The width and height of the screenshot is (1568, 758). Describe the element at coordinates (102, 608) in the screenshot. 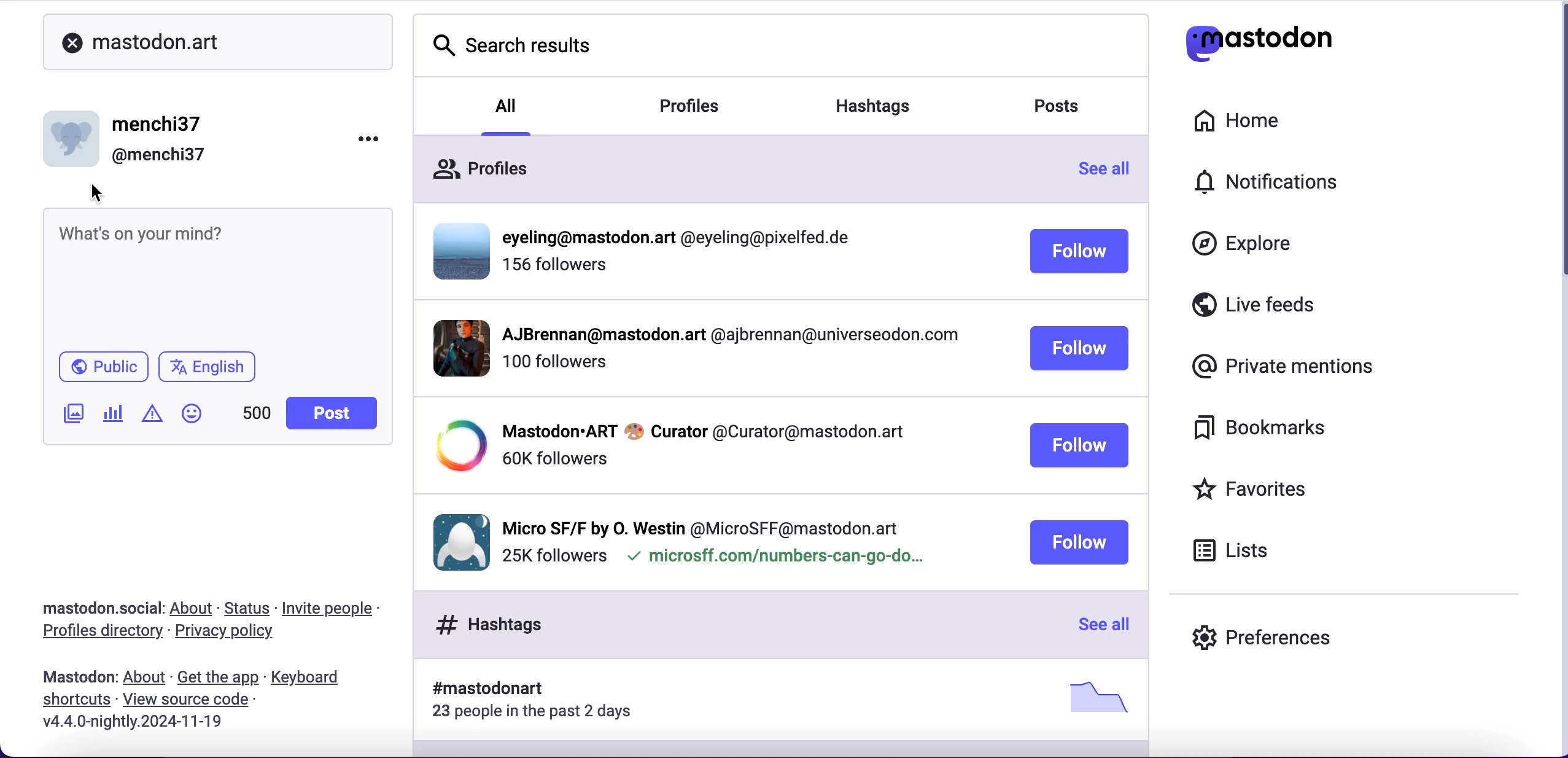

I see `mastodon.social` at that location.